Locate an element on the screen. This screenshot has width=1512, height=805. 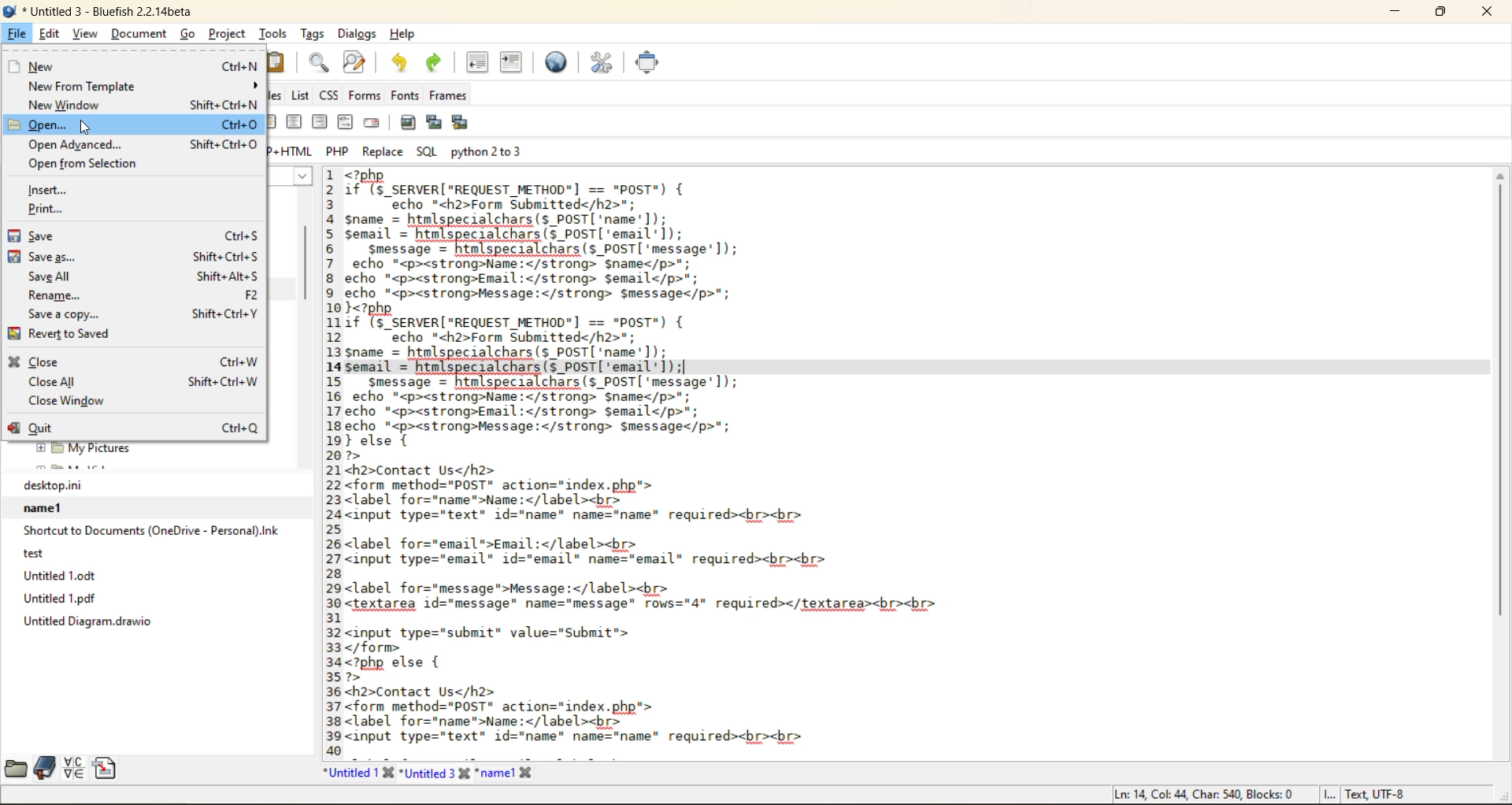
file browser is located at coordinates (14, 768).